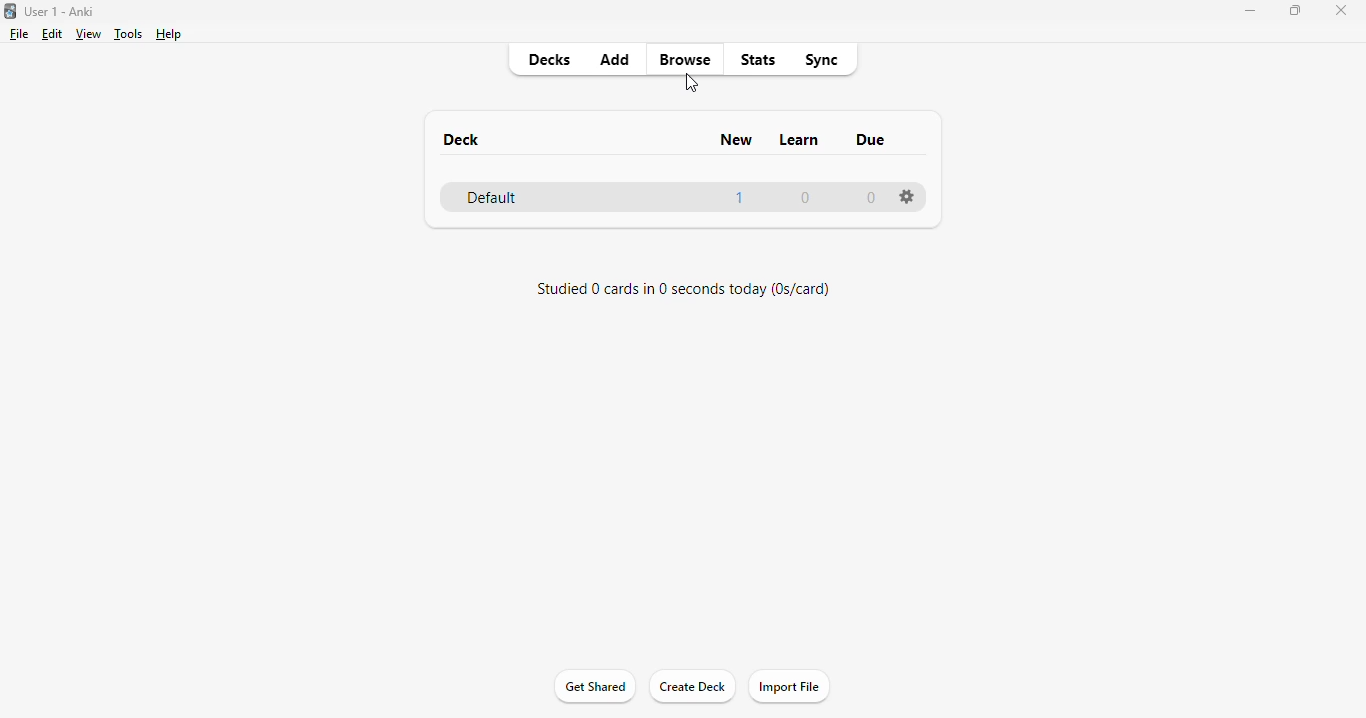 The width and height of the screenshot is (1366, 718). I want to click on import file, so click(788, 687).